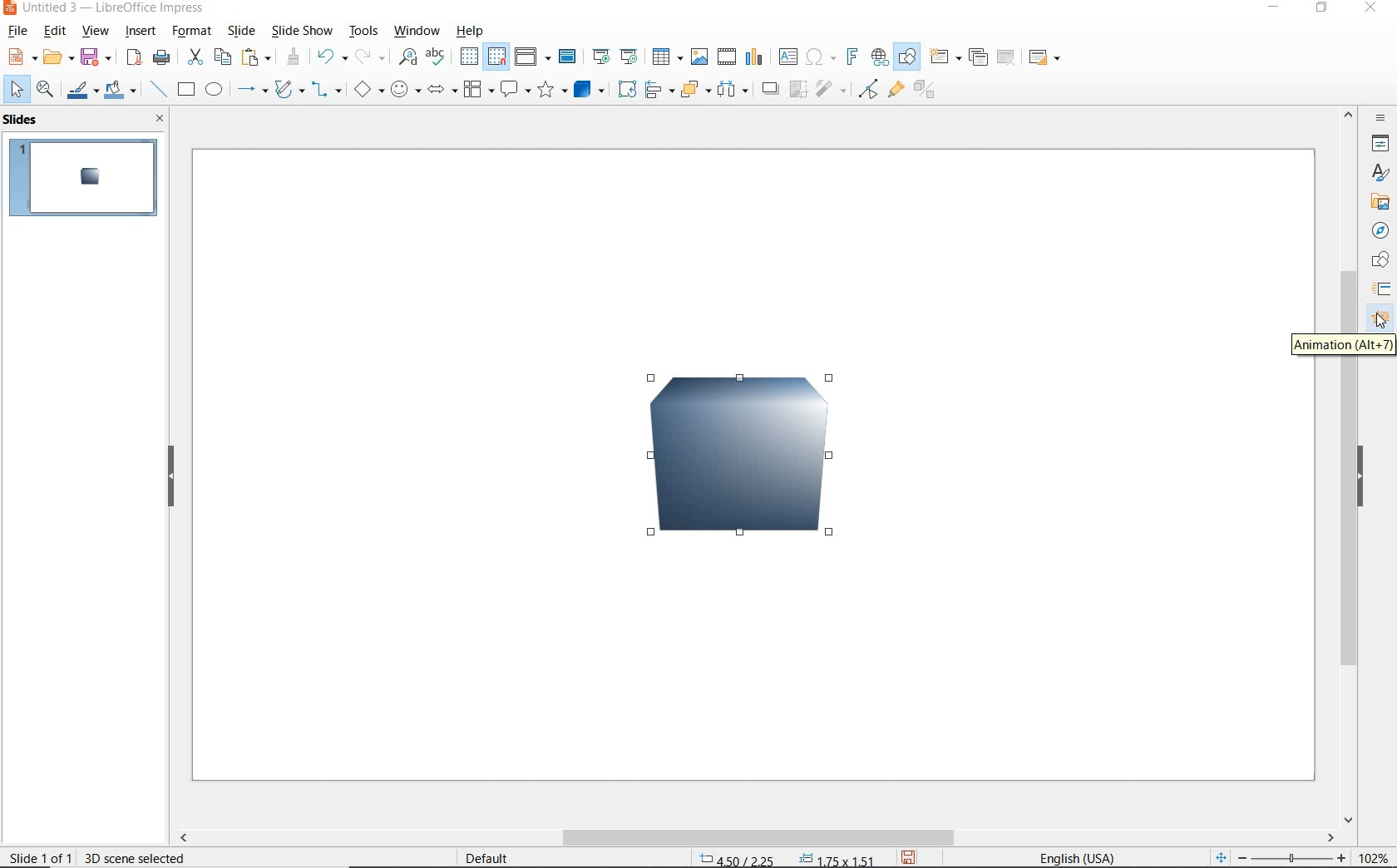 This screenshot has height=868, width=1397. Describe the element at coordinates (367, 91) in the screenshot. I see `basic shapes` at that location.